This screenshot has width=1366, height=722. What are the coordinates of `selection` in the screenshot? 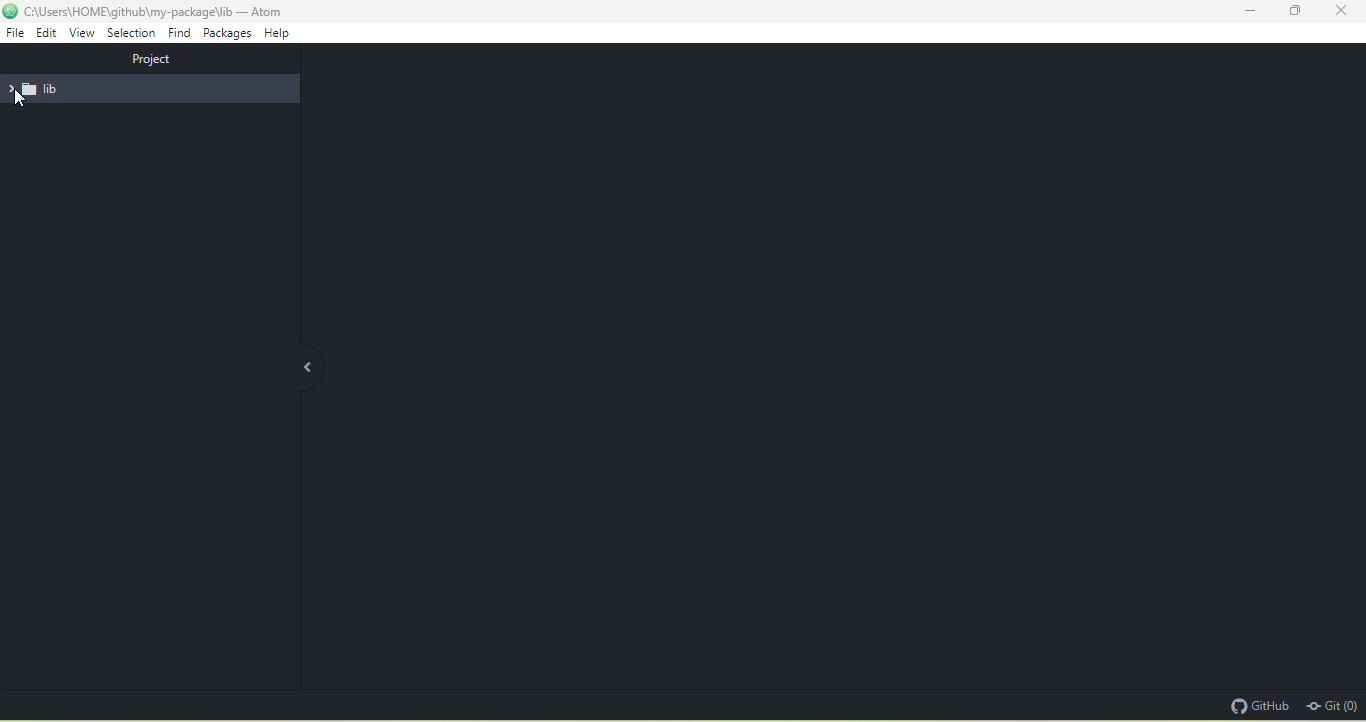 It's located at (133, 36).